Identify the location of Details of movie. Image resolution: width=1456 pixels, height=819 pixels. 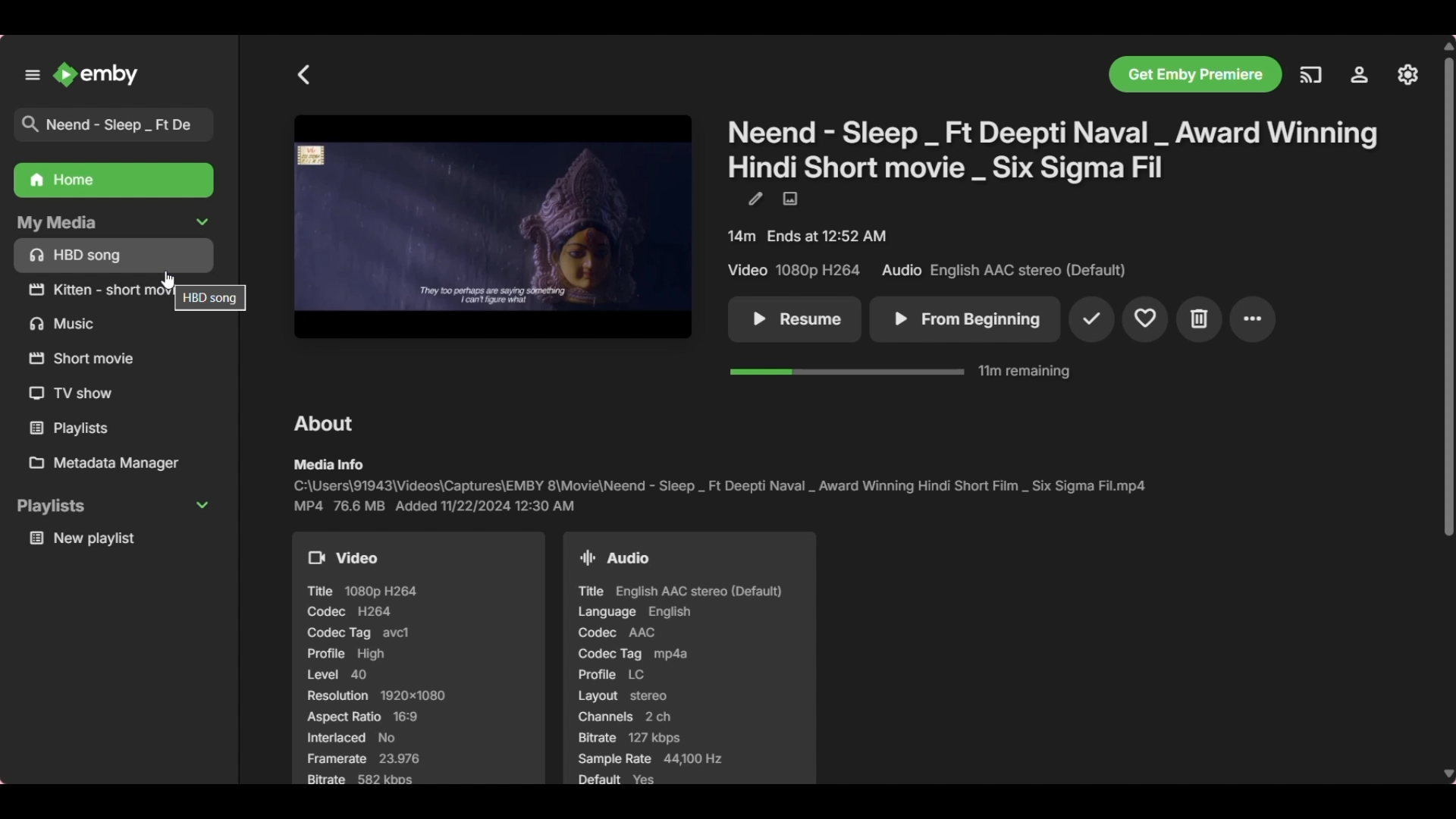
(928, 253).